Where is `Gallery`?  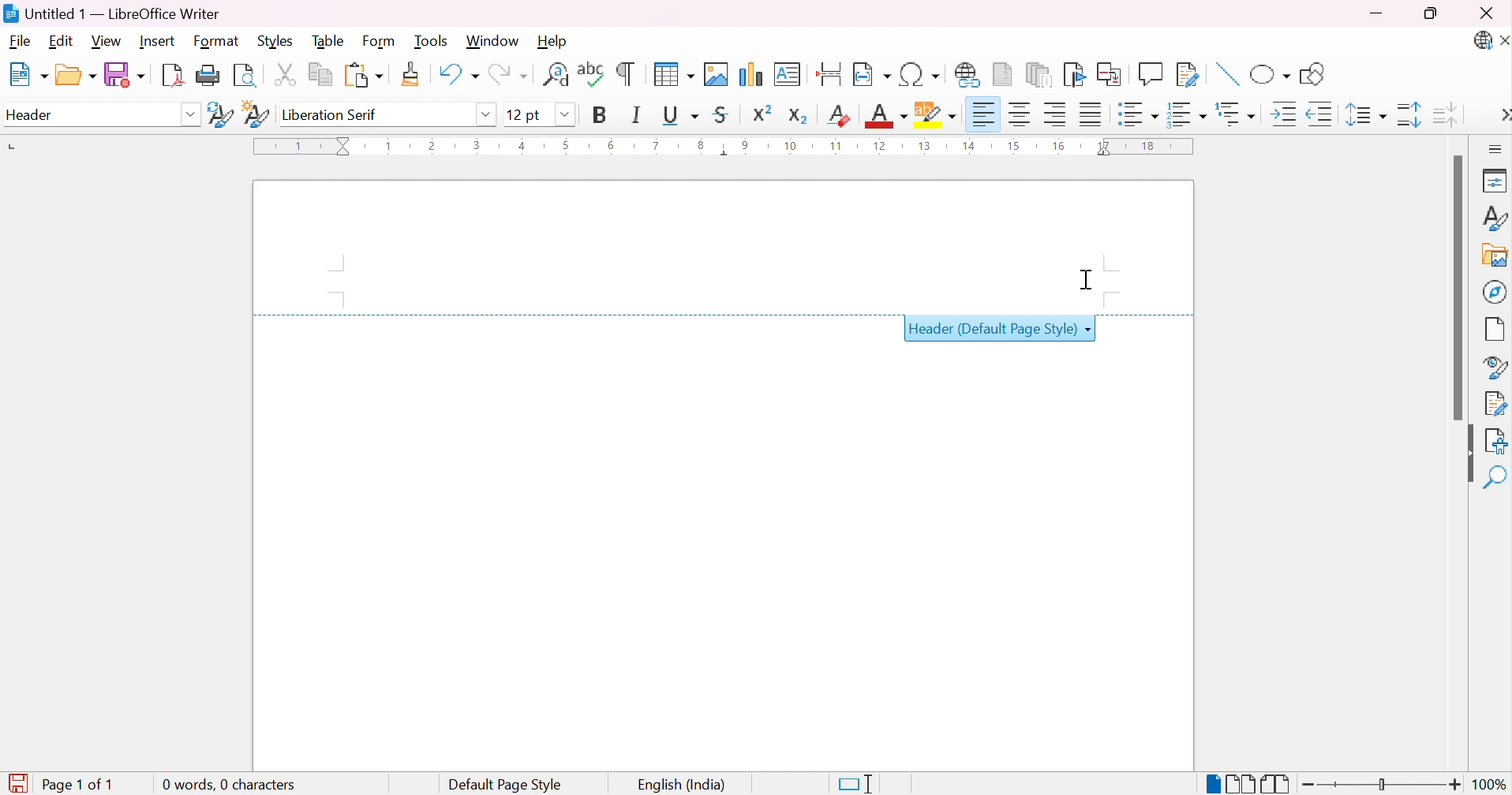 Gallery is located at coordinates (1494, 257).